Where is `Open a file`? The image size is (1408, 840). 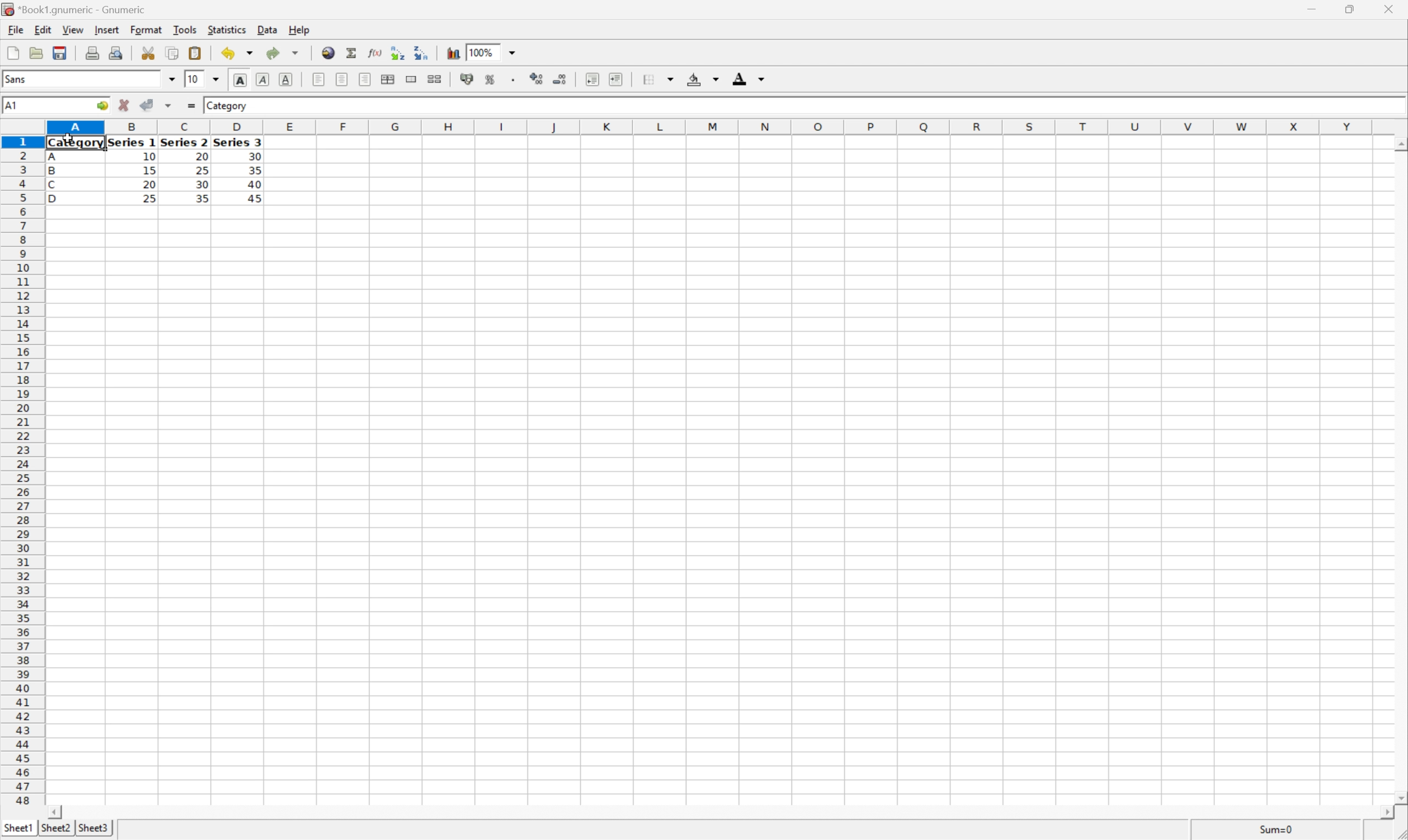
Open a file is located at coordinates (35, 53).